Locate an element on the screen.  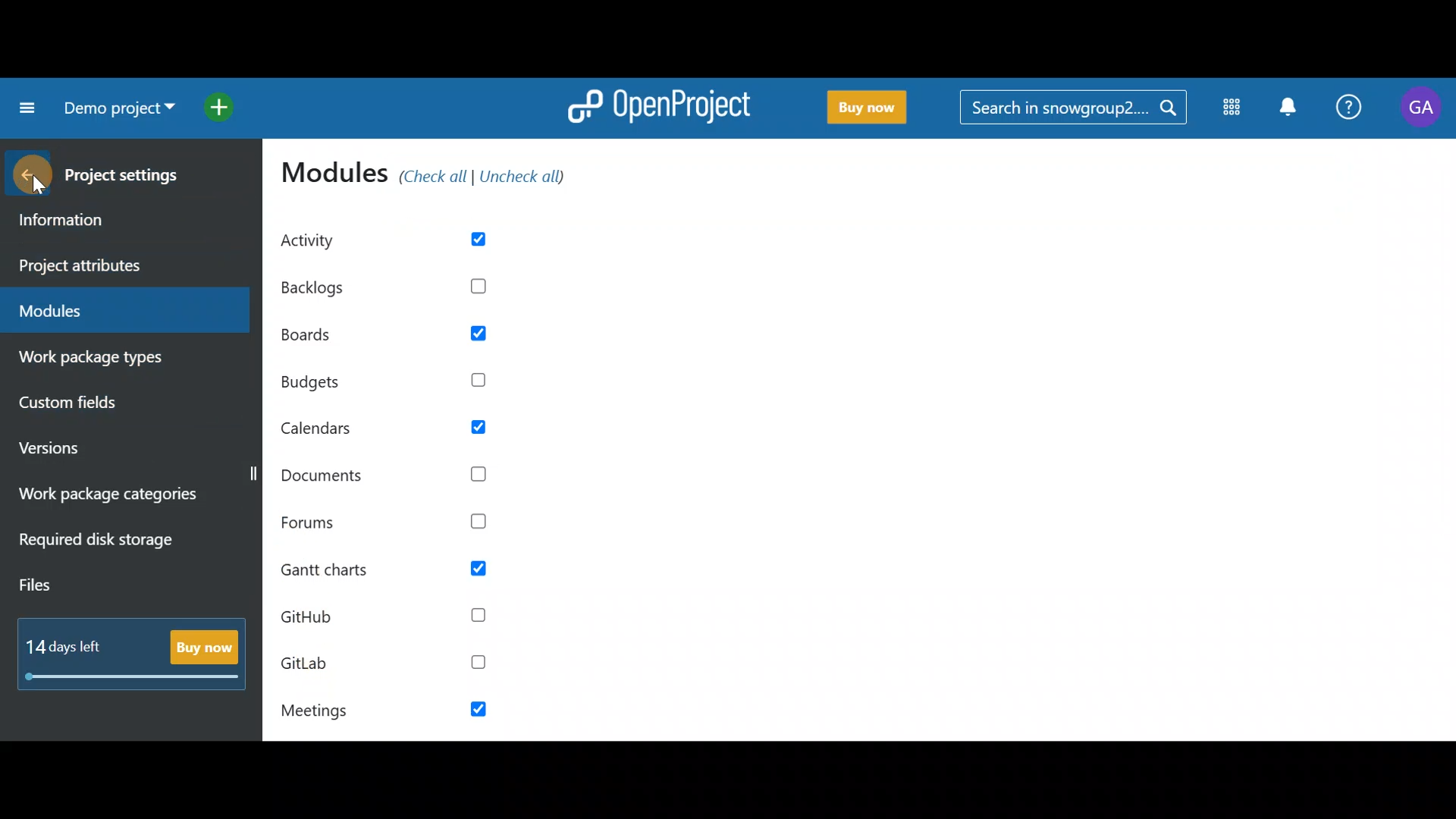
Buy now is located at coordinates (870, 110).